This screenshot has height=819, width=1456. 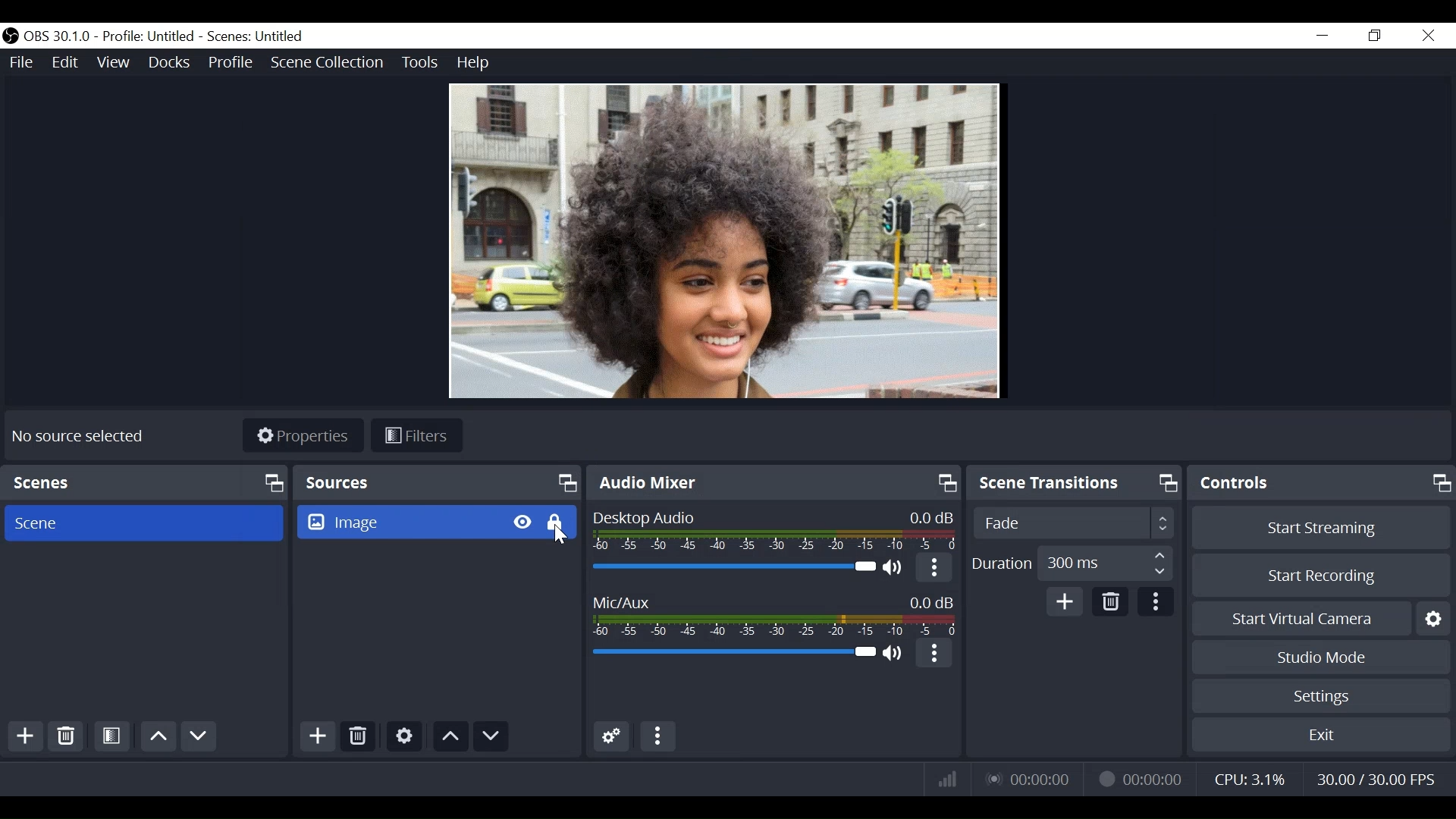 I want to click on Hide/Display Source, so click(x=522, y=522).